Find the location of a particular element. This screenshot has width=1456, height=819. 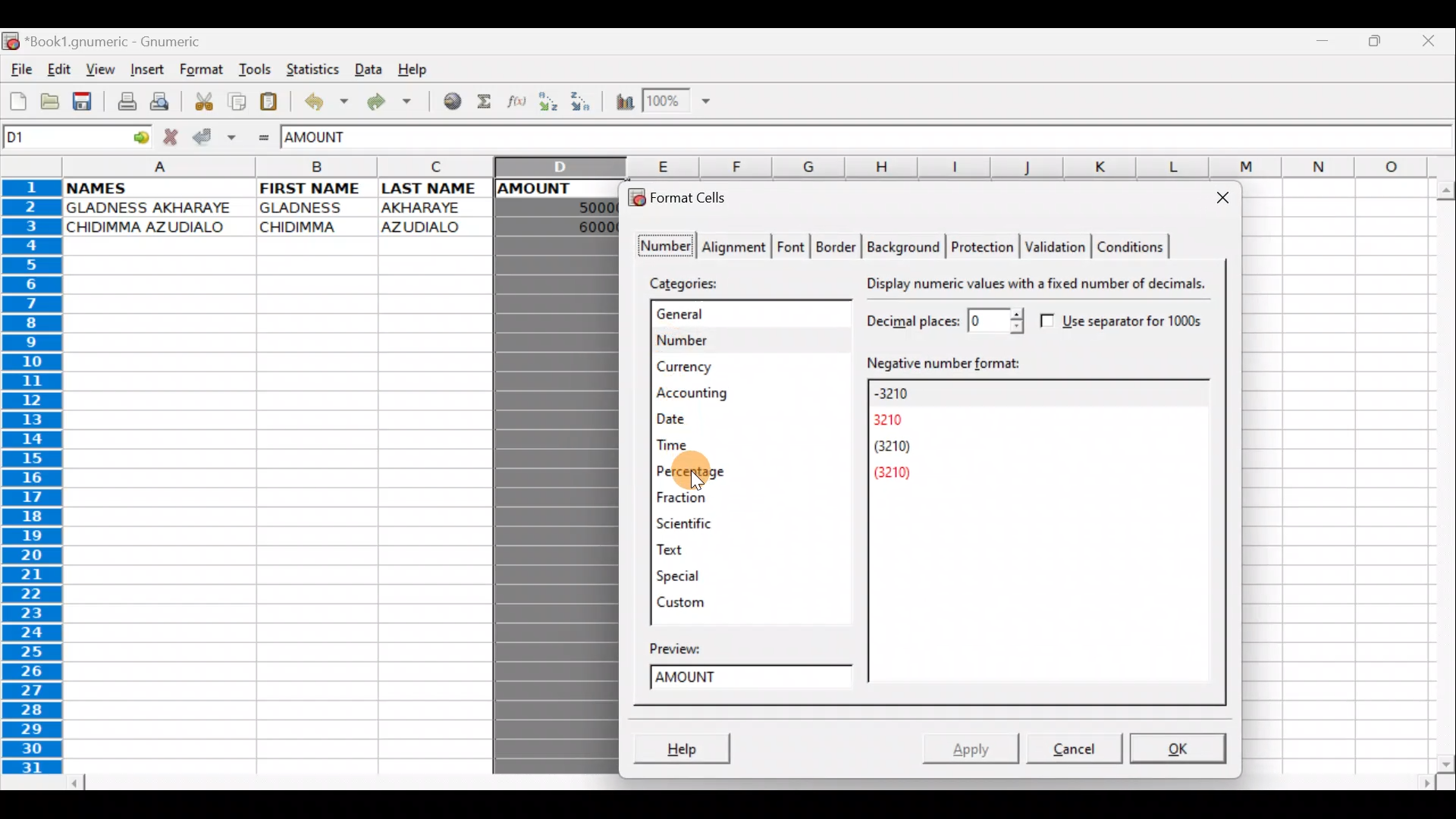

CHIDIMMA AZUDIALO is located at coordinates (153, 227).